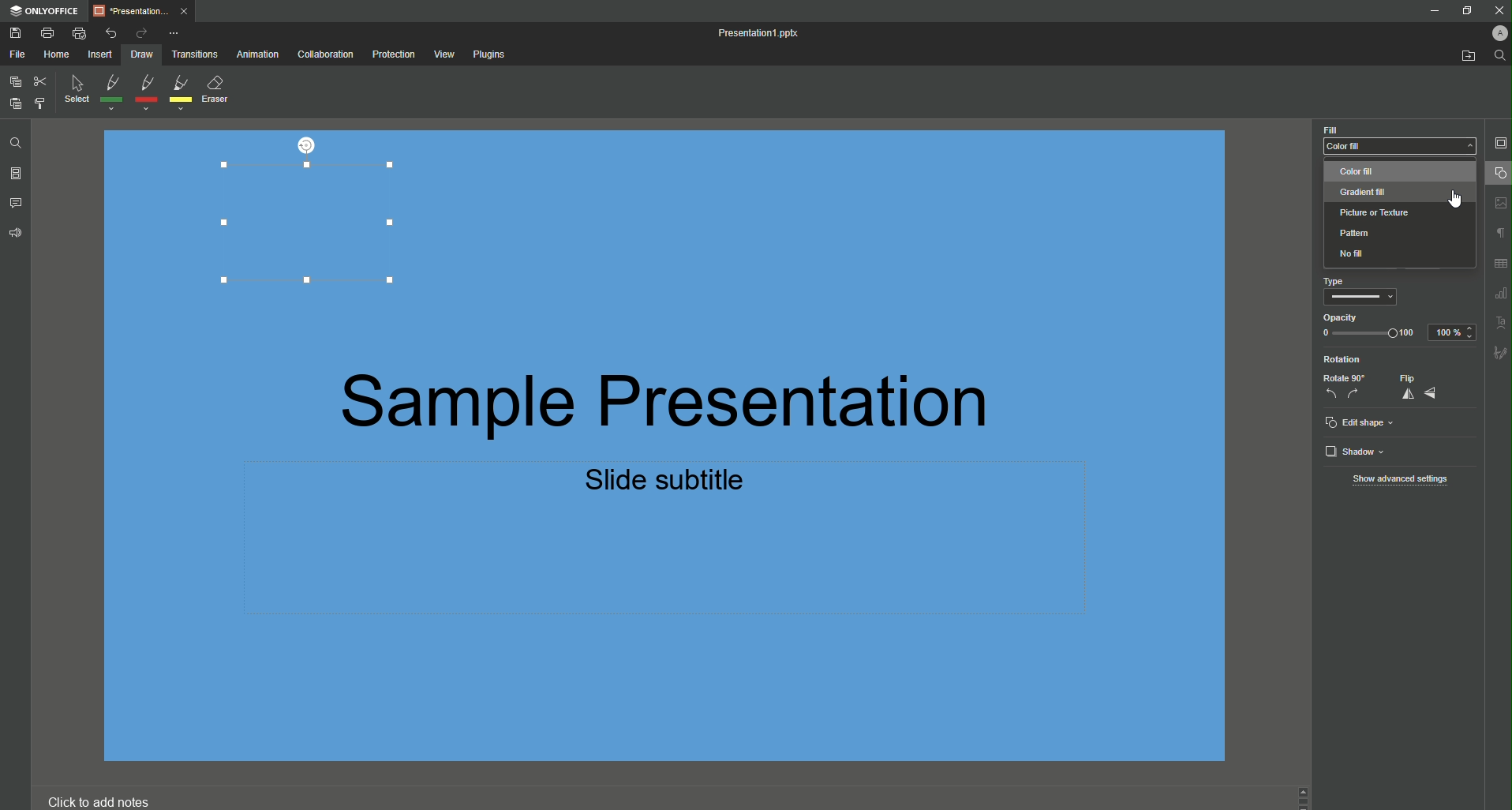 Image resolution: width=1512 pixels, height=810 pixels. Describe the element at coordinates (1377, 212) in the screenshot. I see `Picture or Texture` at that location.